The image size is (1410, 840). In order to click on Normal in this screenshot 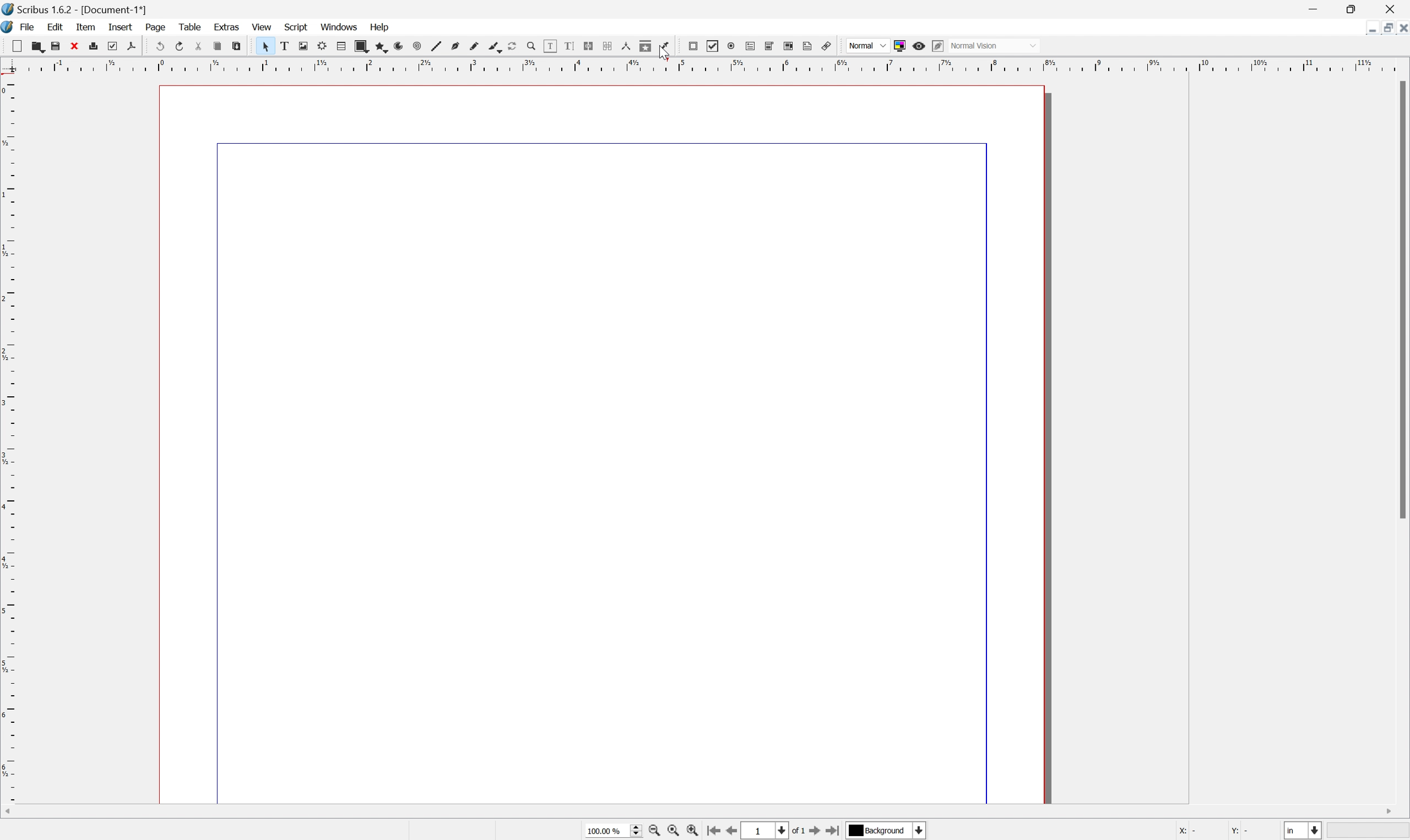, I will do `click(867, 46)`.